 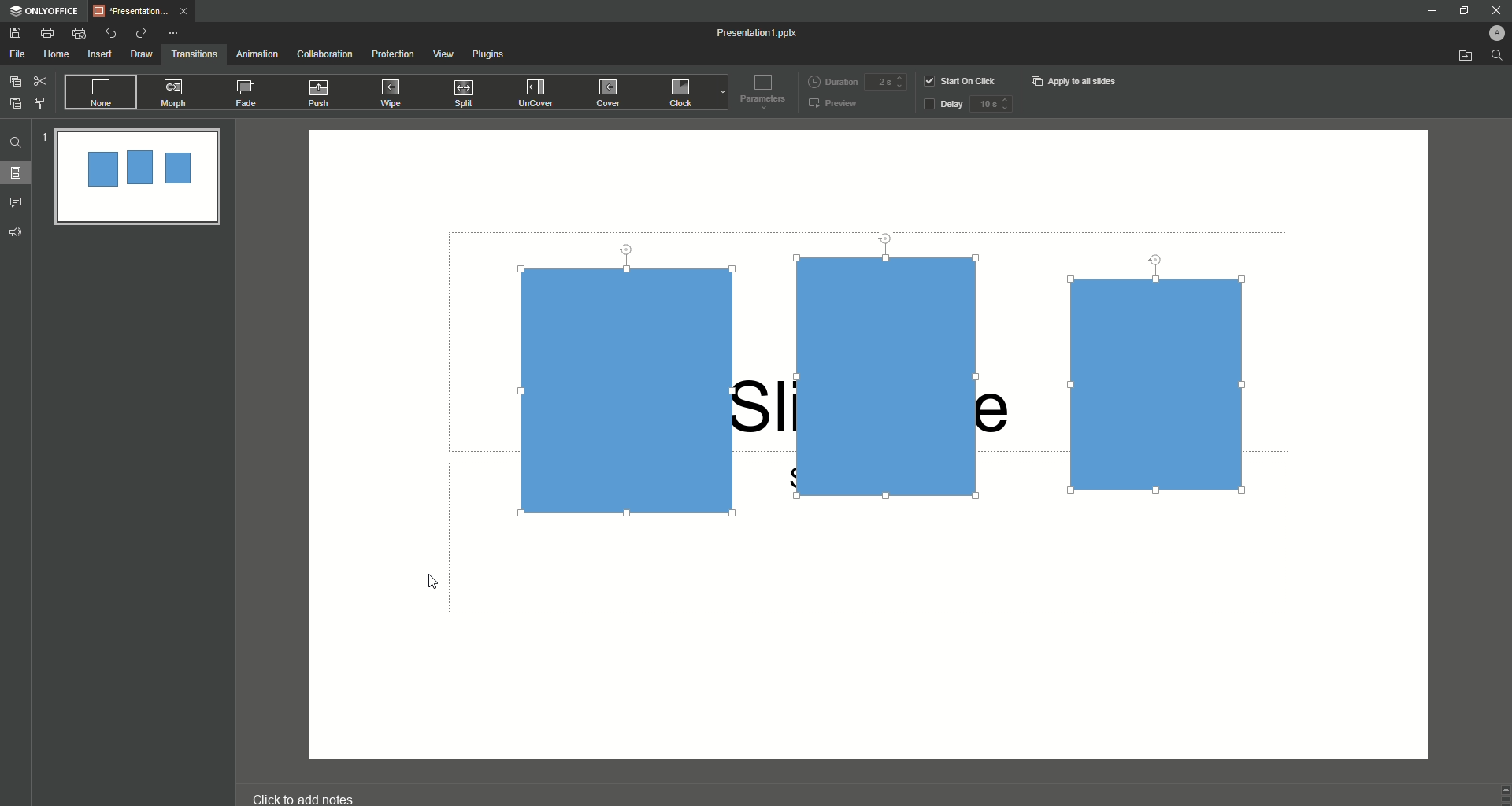 I want to click on Apply to all slides, so click(x=1076, y=81).